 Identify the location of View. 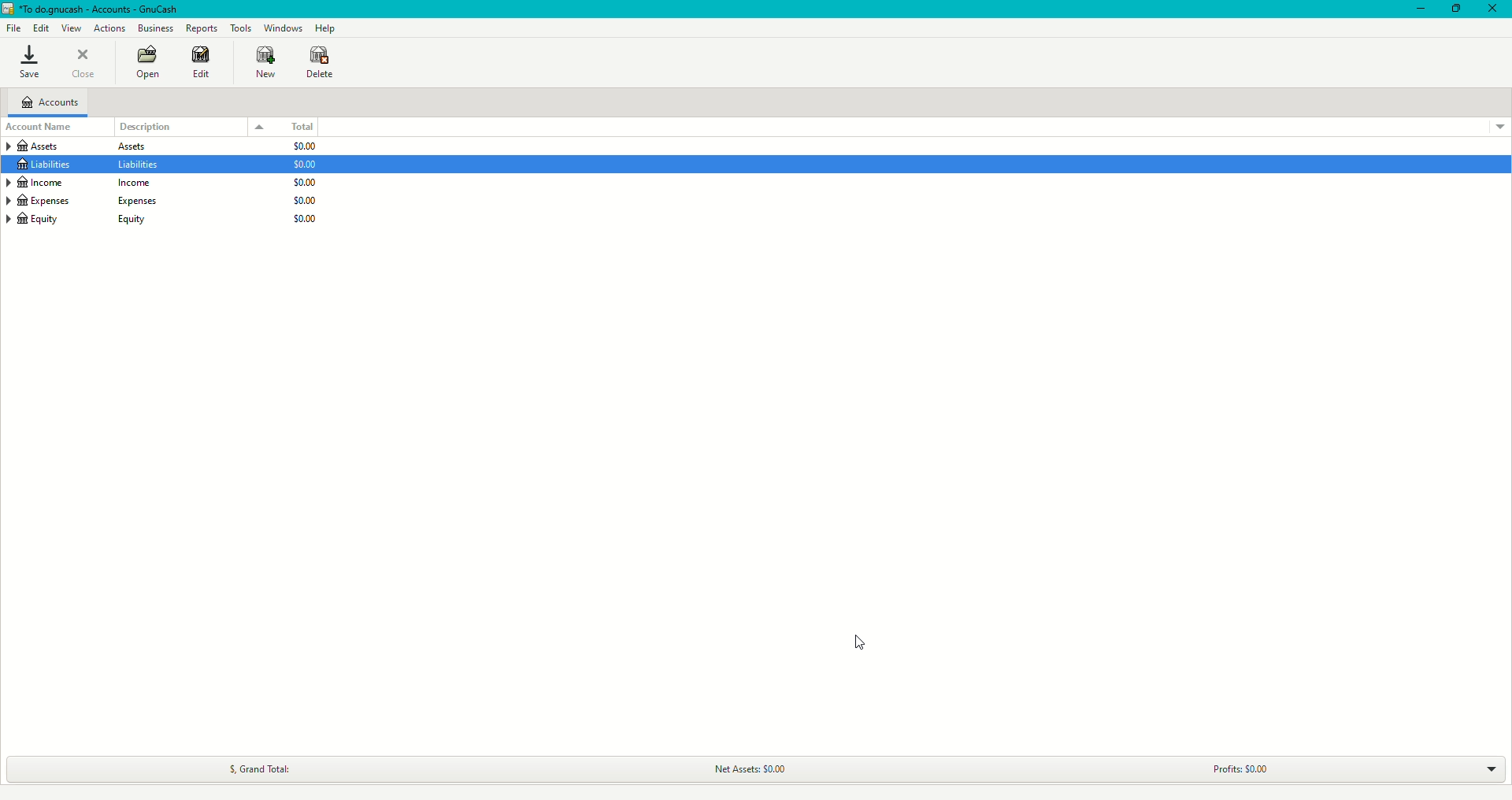
(73, 29).